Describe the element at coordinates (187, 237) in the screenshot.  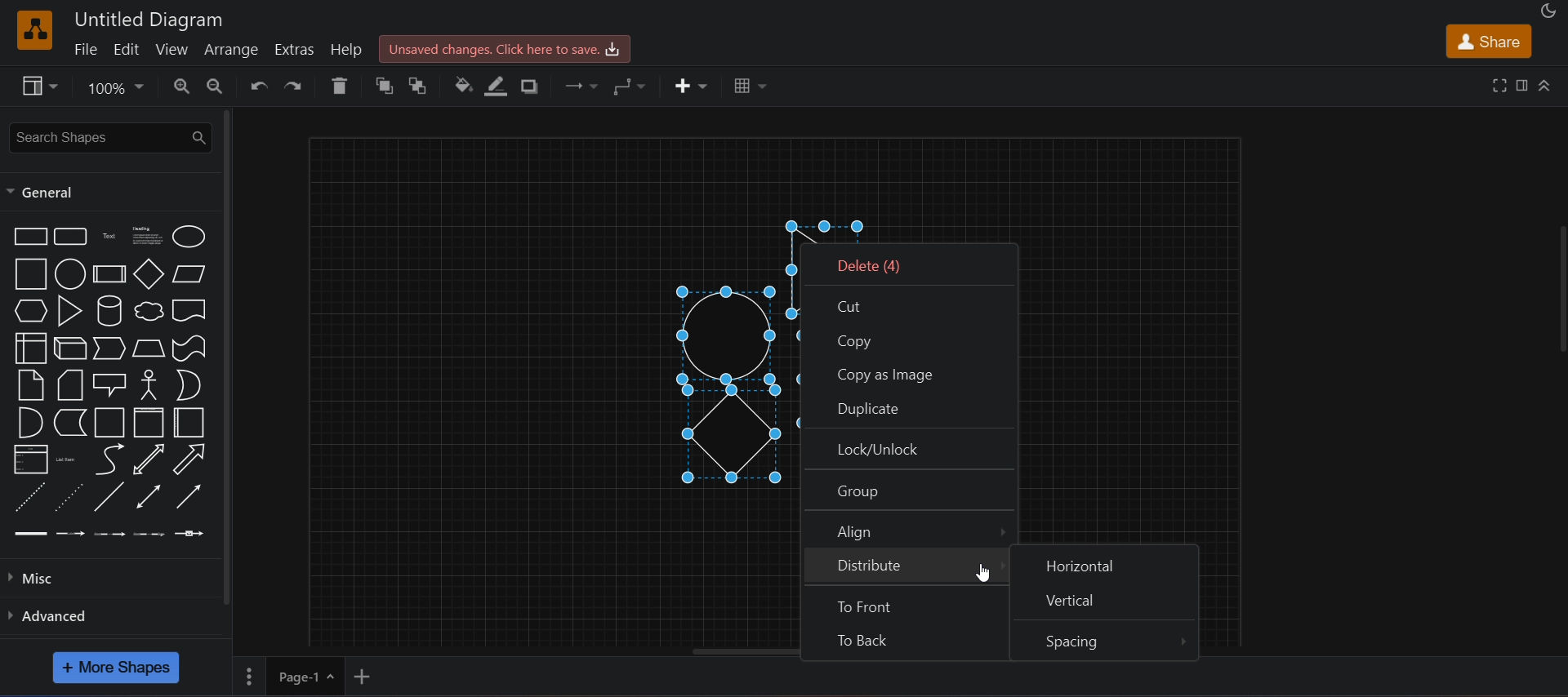
I see `ellipse` at that location.